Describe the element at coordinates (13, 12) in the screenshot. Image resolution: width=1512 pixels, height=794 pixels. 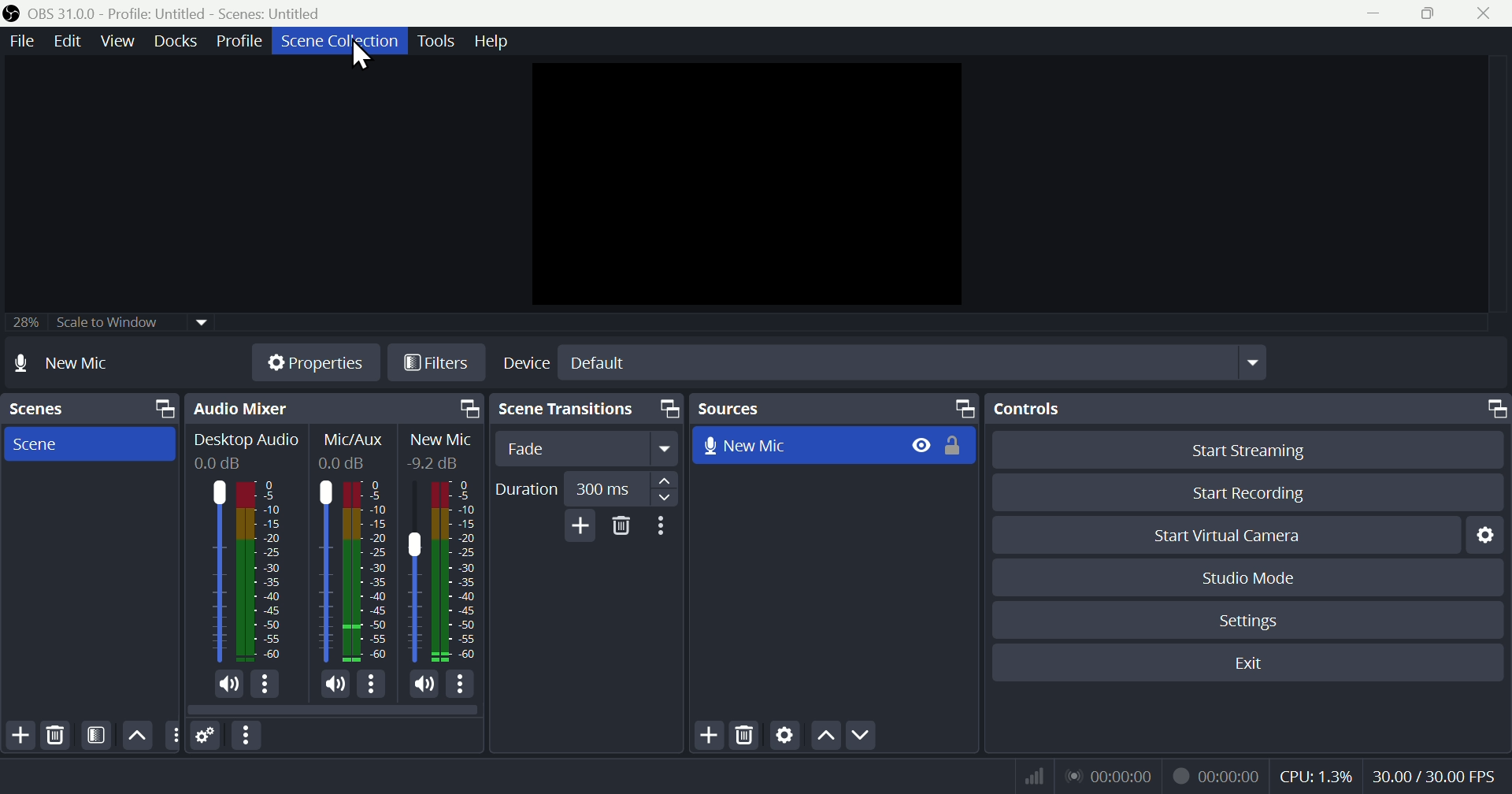
I see `OBS Studio Desktop Icon` at that location.